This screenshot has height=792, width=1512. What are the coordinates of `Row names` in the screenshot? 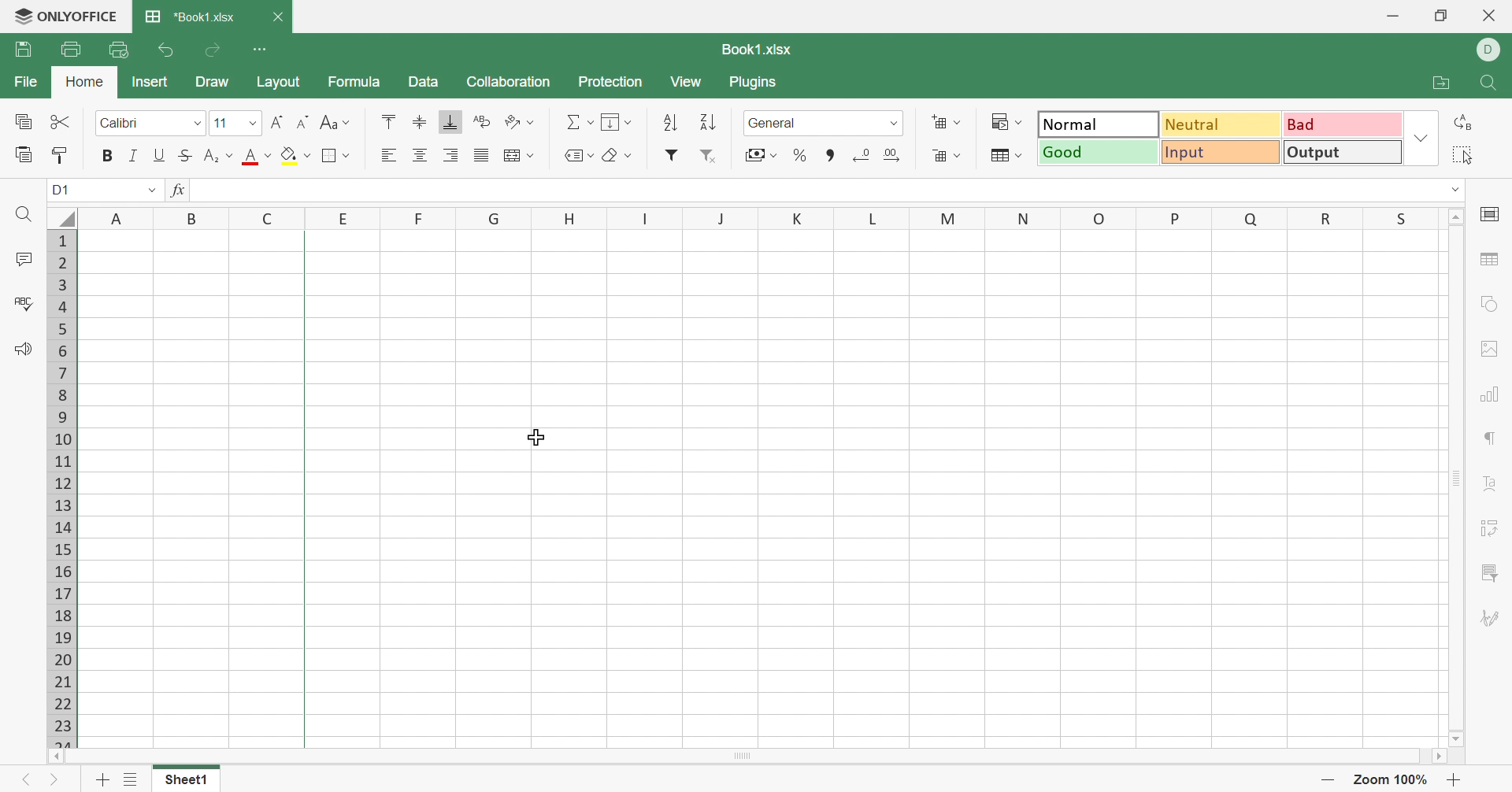 It's located at (60, 486).